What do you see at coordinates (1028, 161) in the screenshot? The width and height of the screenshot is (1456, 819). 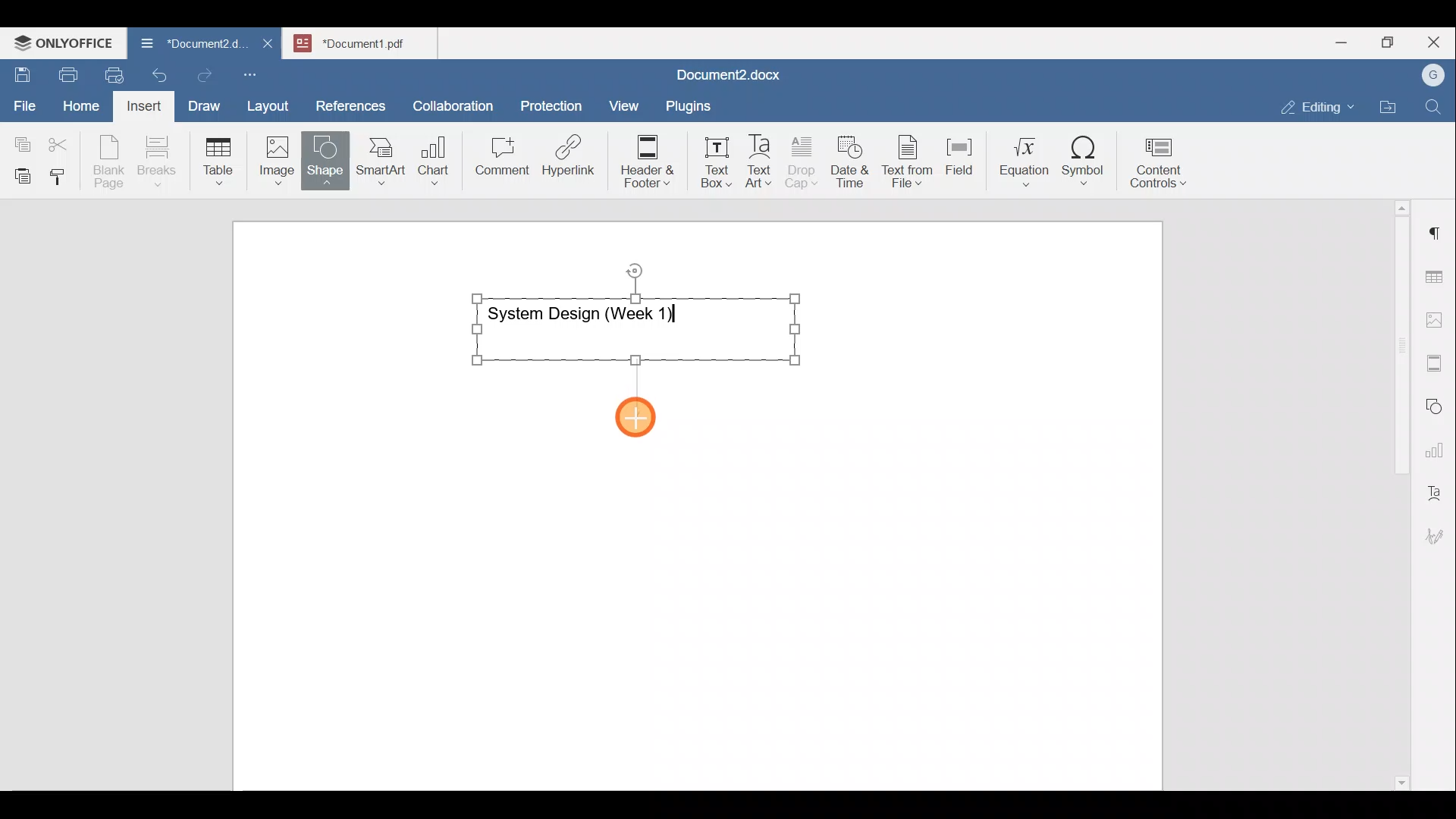 I see `Equation` at bounding box center [1028, 161].